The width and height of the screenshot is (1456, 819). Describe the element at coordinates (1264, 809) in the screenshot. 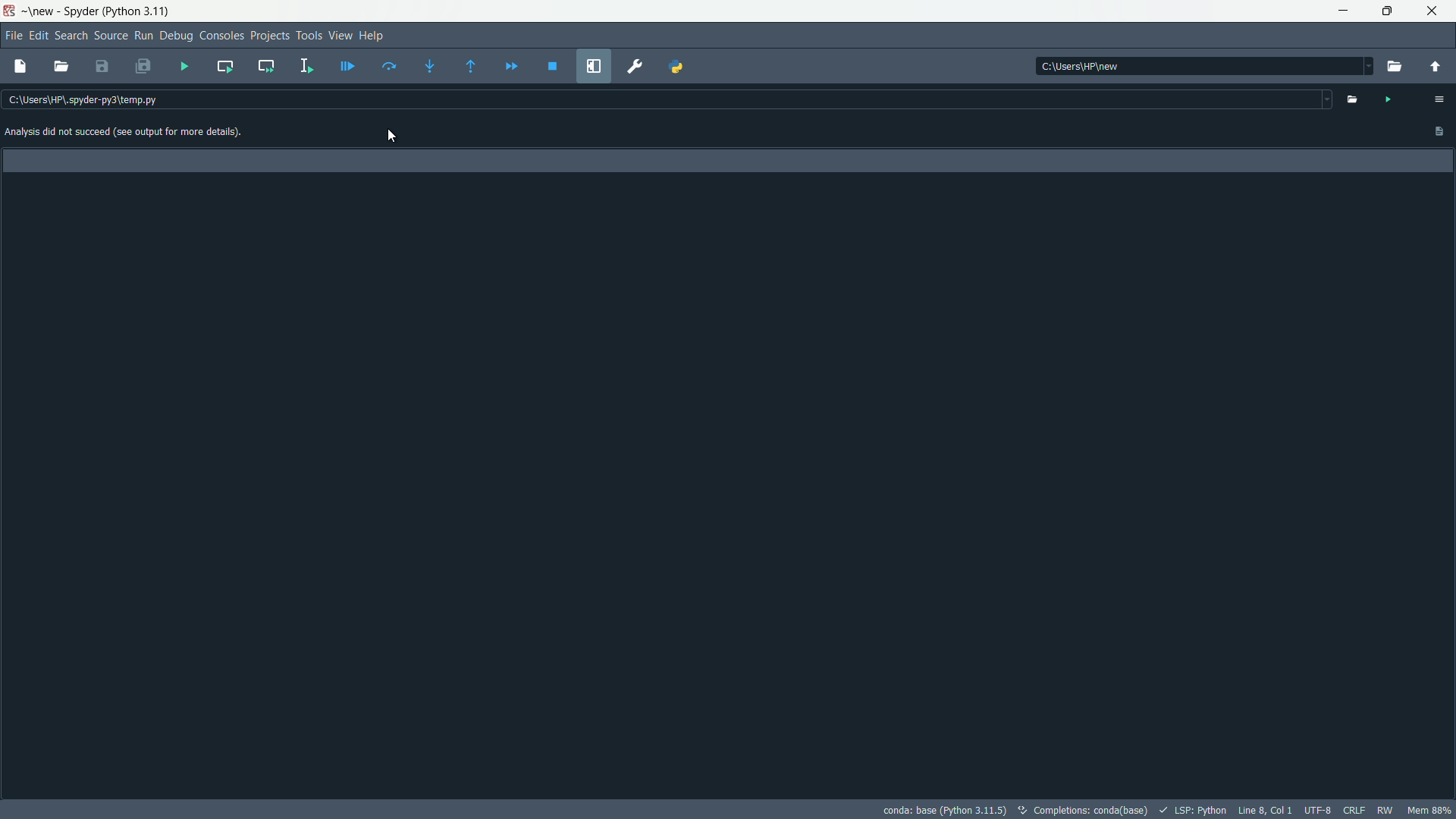

I see `cursor position` at that location.